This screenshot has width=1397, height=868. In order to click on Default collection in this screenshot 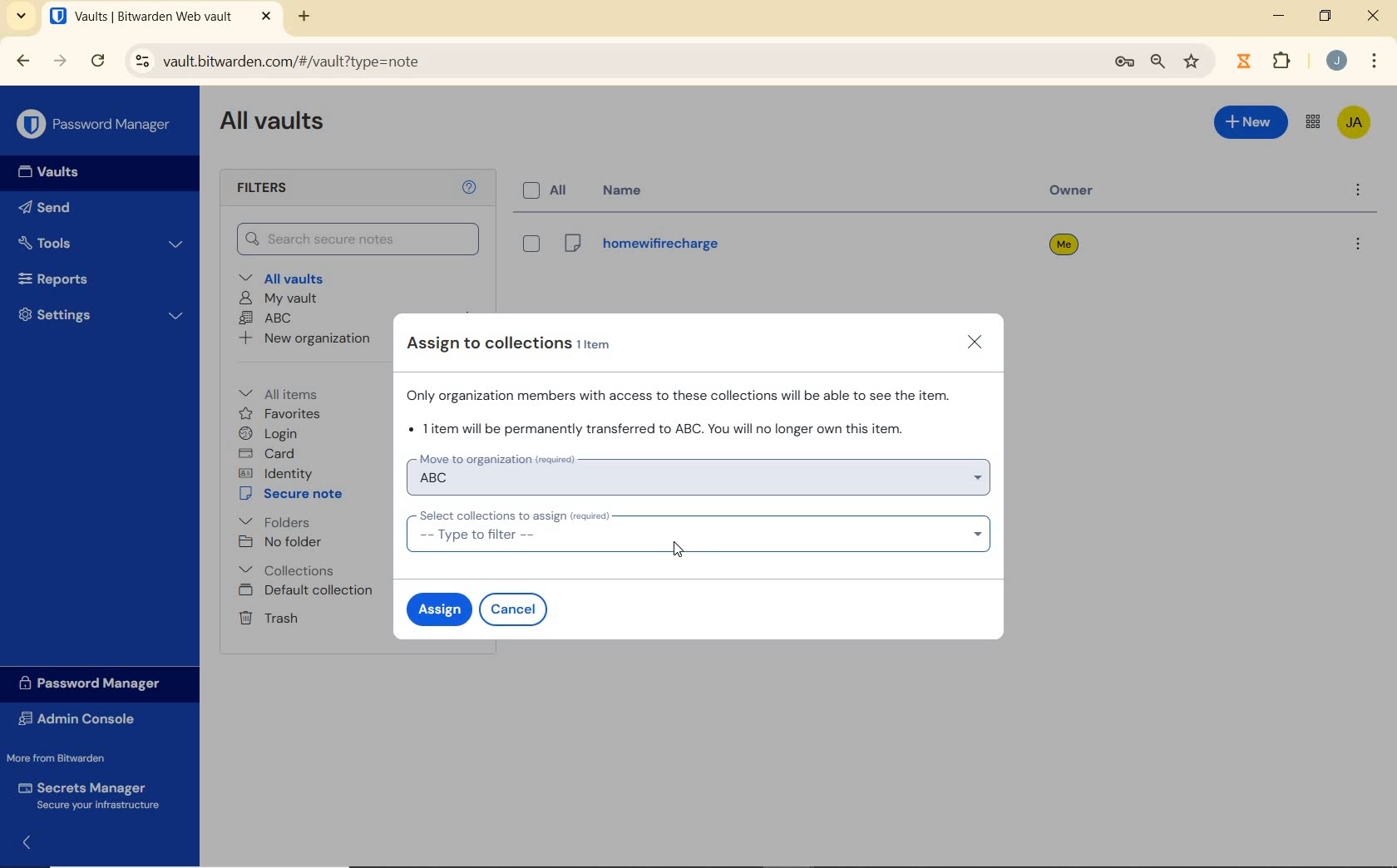, I will do `click(308, 591)`.